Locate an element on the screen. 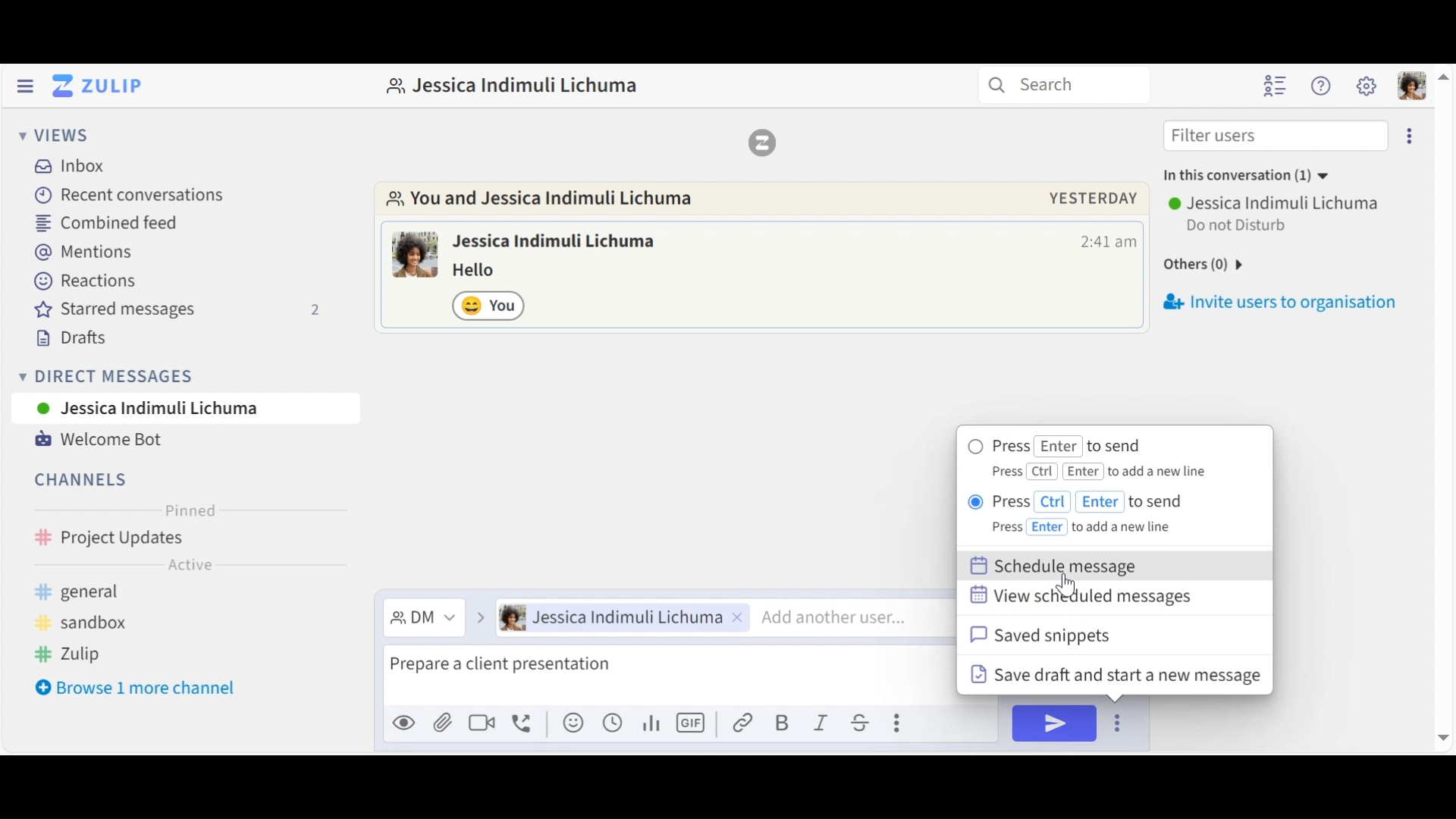  Welcome Bot is located at coordinates (98, 440).